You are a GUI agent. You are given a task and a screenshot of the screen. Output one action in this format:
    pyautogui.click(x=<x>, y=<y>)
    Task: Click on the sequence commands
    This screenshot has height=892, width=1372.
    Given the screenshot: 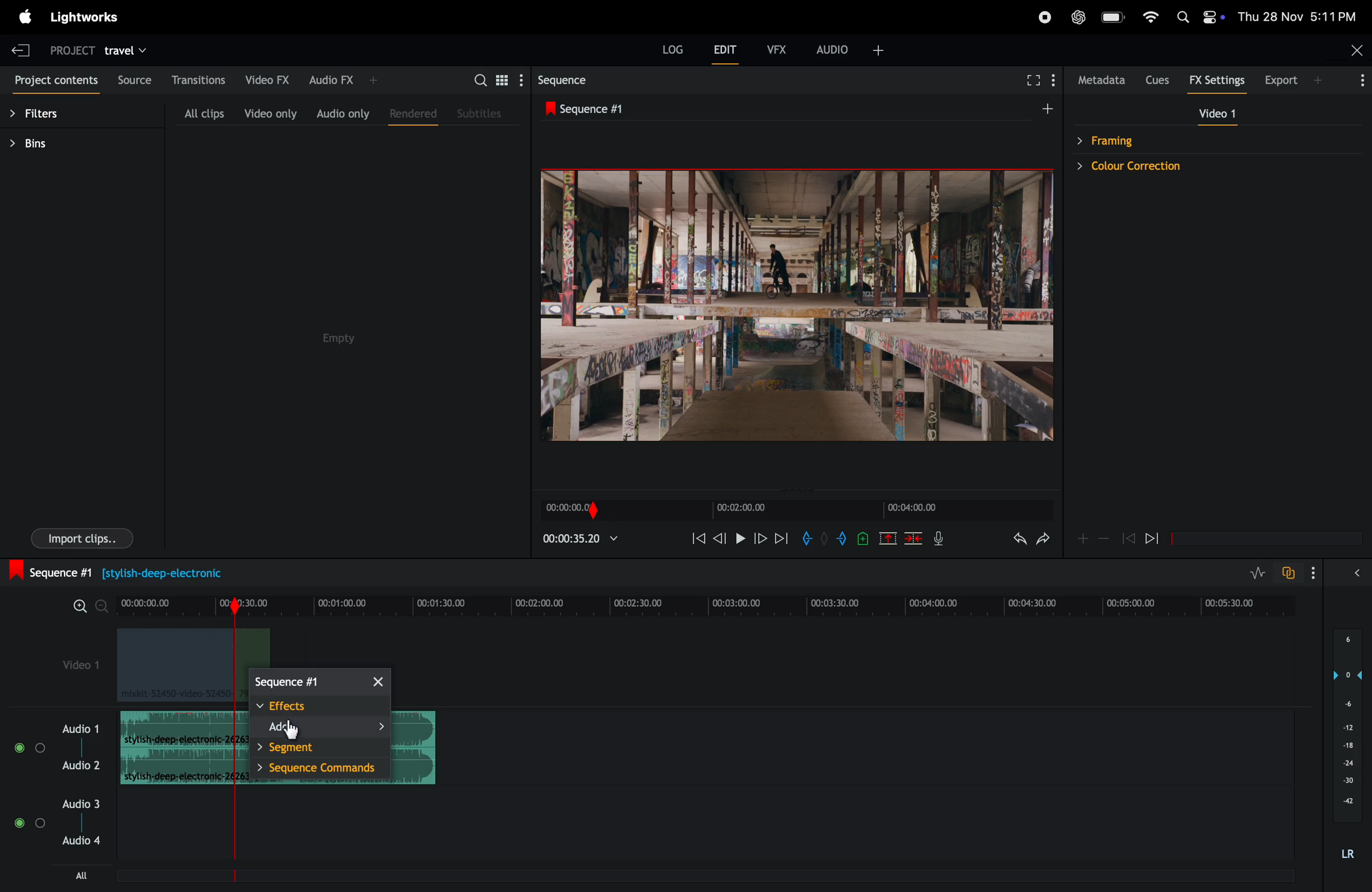 What is the action you would take?
    pyautogui.click(x=322, y=769)
    